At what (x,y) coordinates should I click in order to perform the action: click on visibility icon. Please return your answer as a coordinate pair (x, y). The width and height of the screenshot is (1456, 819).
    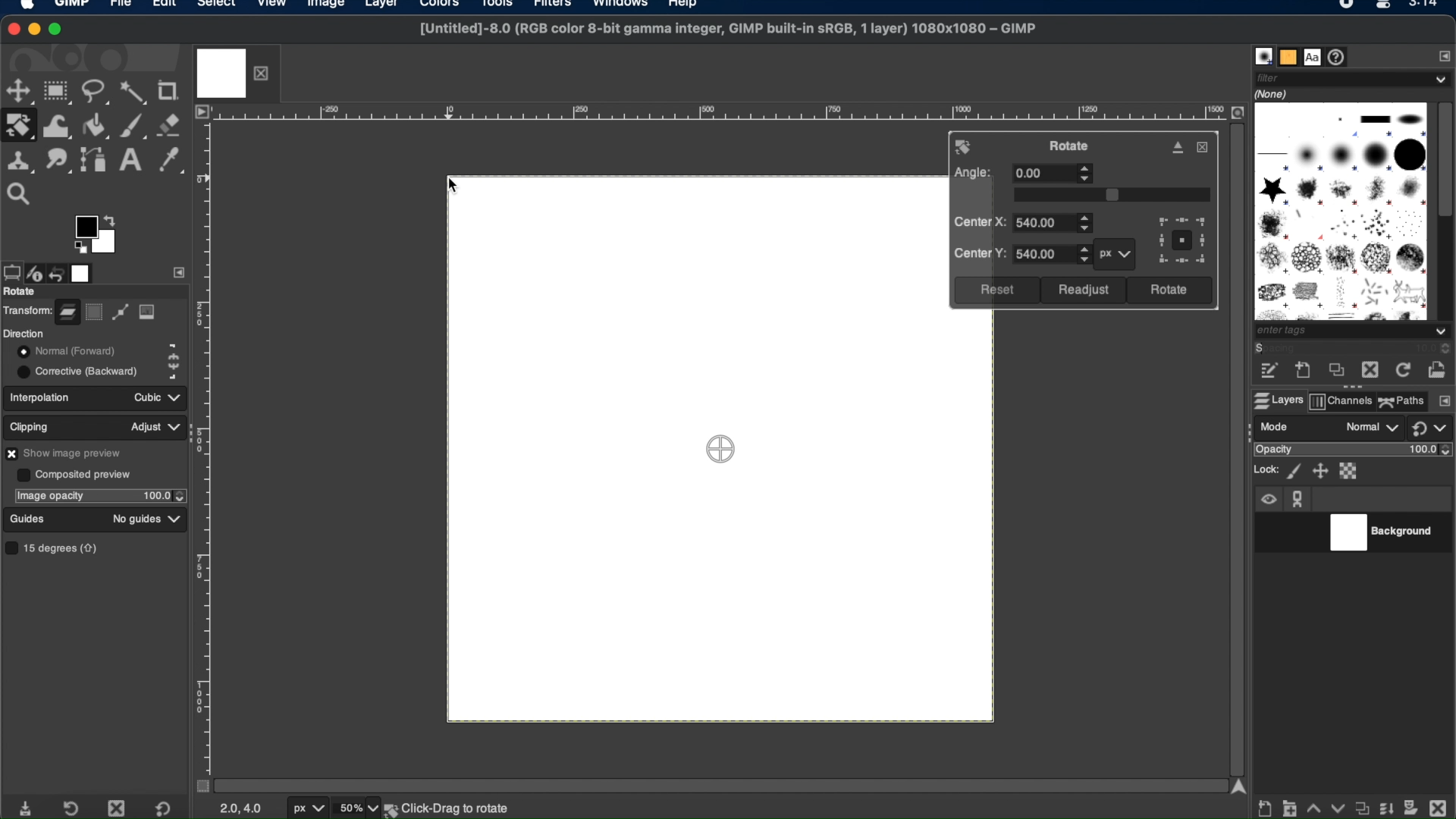
    Looking at the image, I should click on (1268, 500).